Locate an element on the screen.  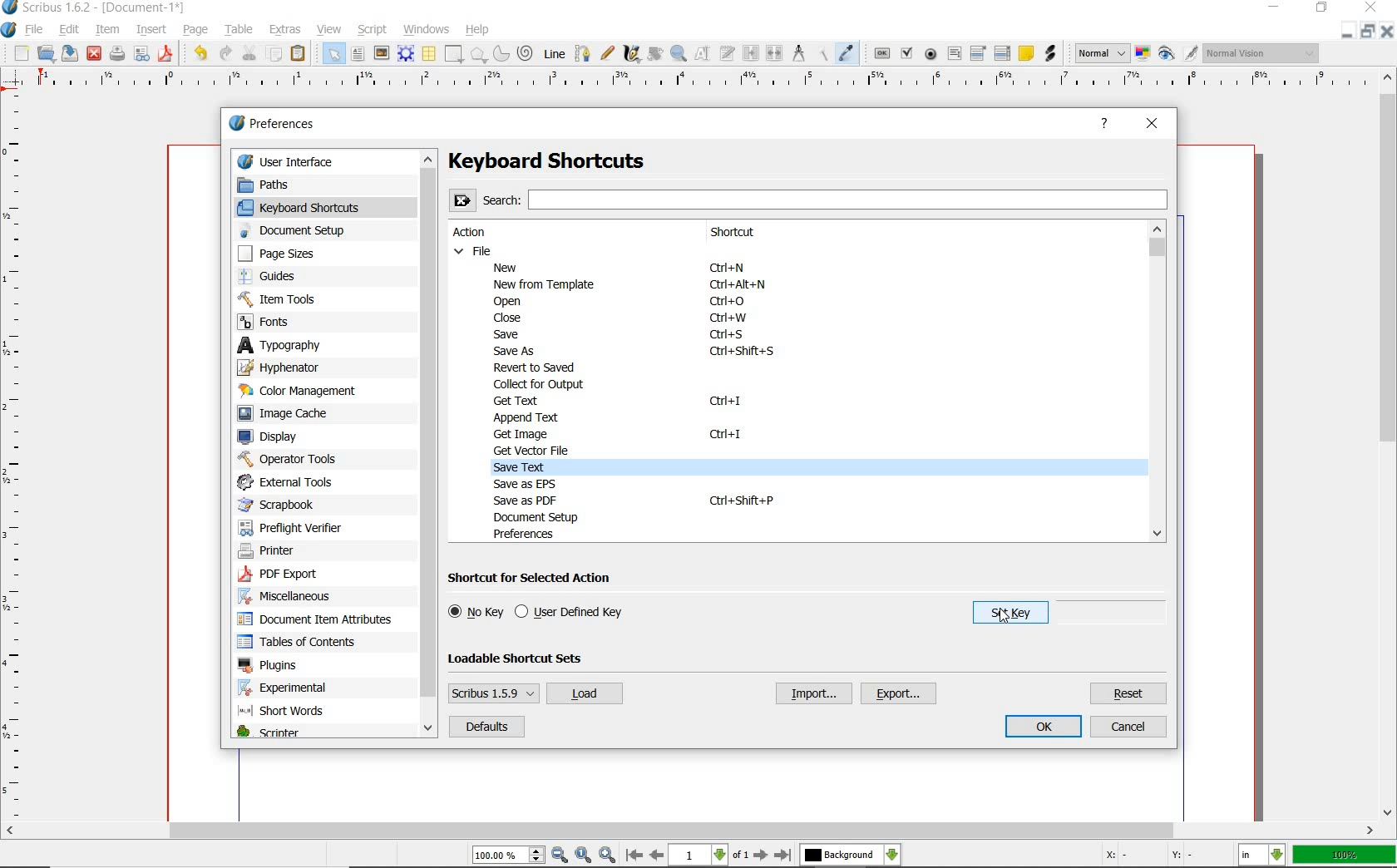
redo is located at coordinates (225, 53).